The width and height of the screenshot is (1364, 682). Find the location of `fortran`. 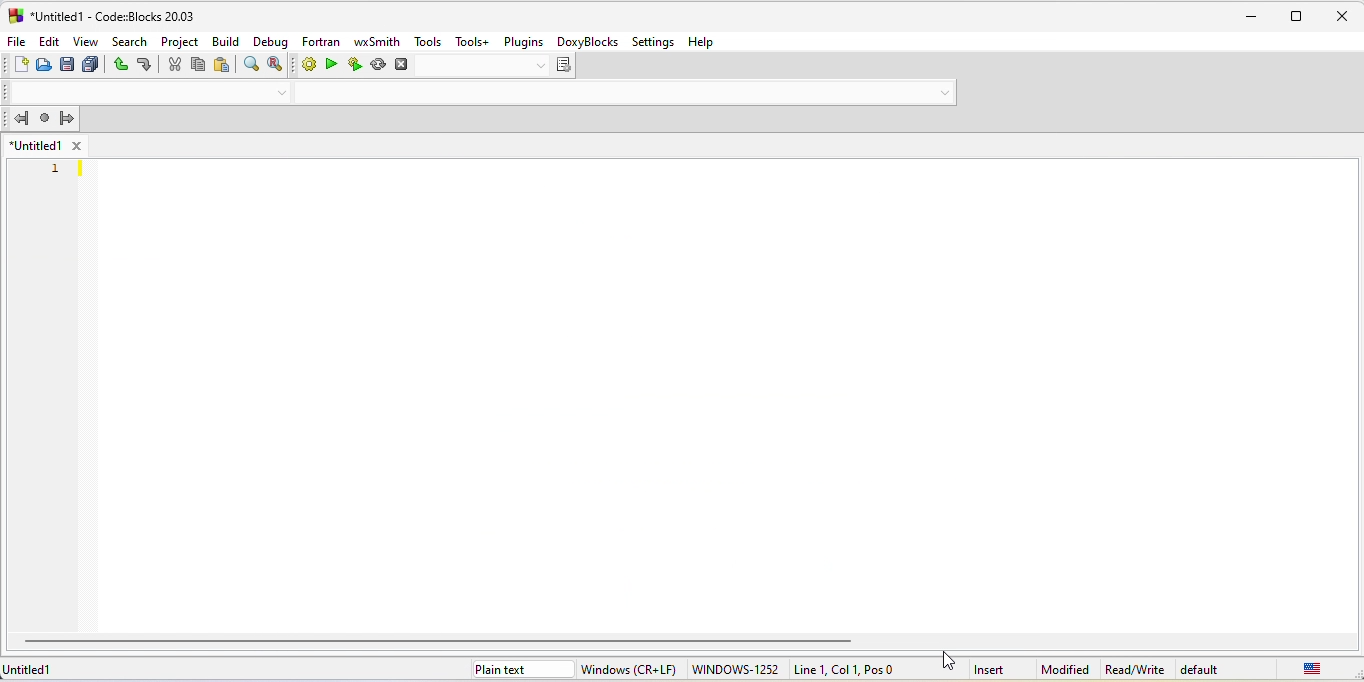

fortran is located at coordinates (319, 42).